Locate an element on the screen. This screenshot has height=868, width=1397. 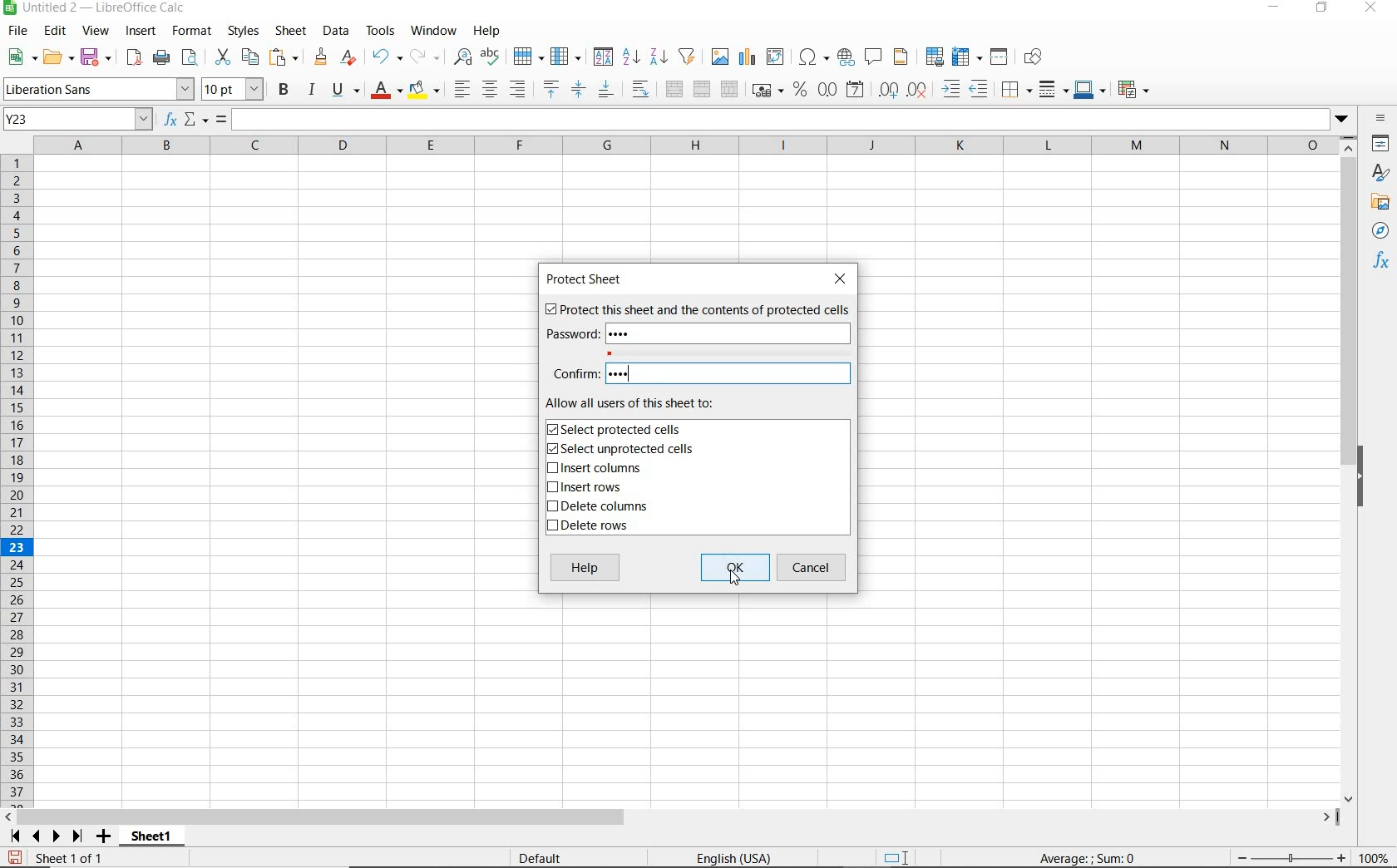
 is located at coordinates (491, 58).